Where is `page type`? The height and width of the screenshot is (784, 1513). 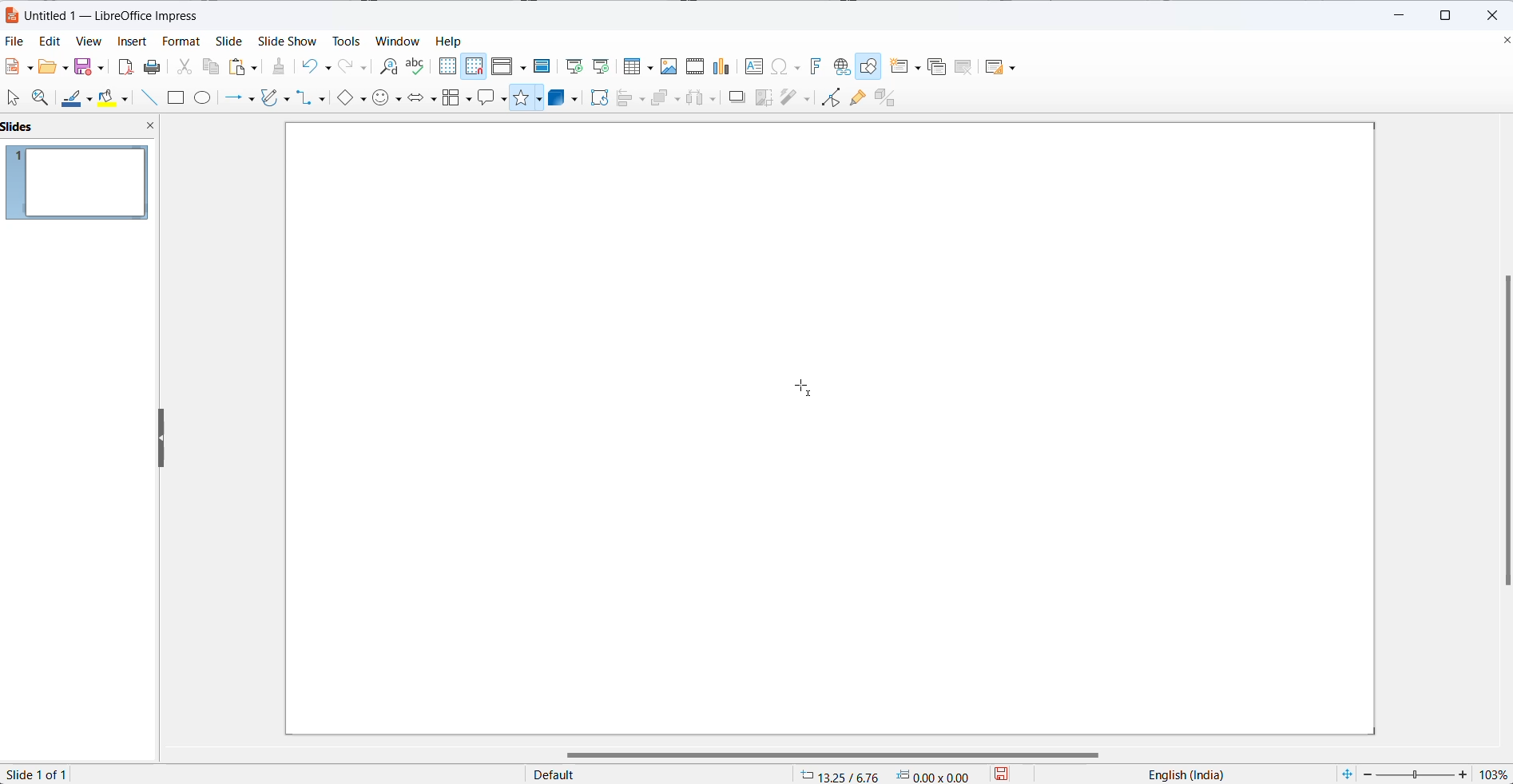
page type is located at coordinates (657, 775).